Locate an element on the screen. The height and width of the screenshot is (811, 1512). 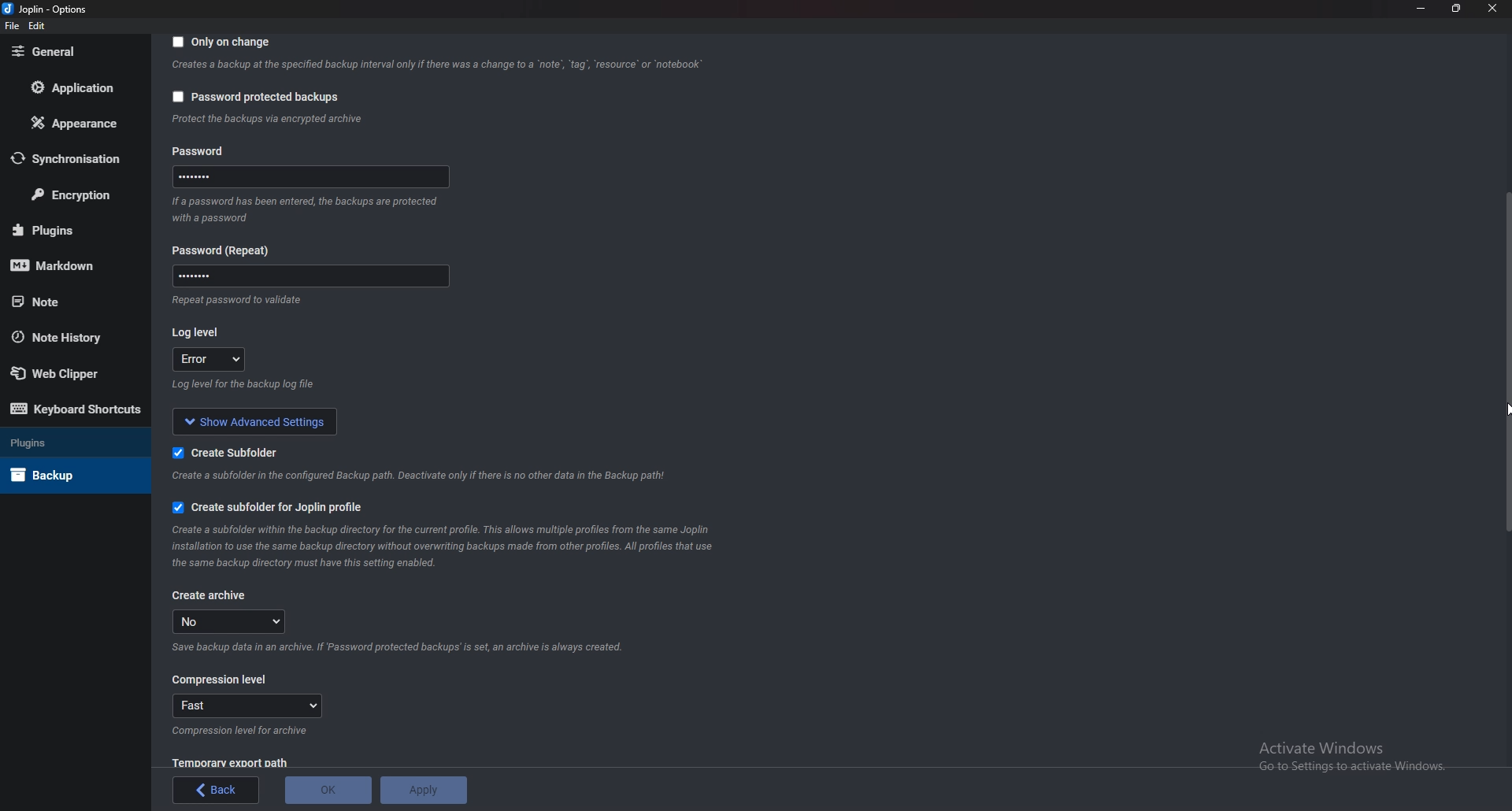
Password is located at coordinates (308, 180).